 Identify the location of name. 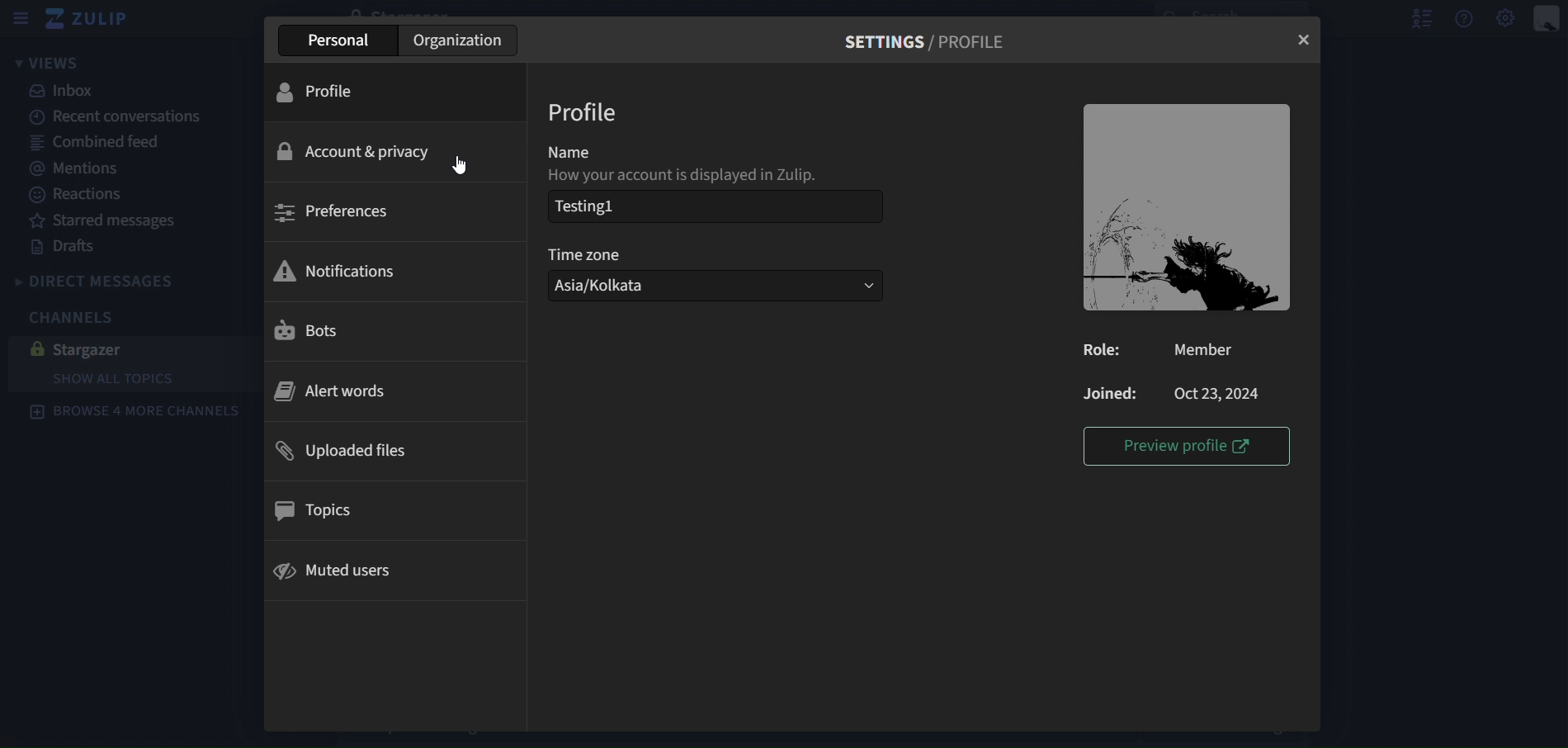
(579, 149).